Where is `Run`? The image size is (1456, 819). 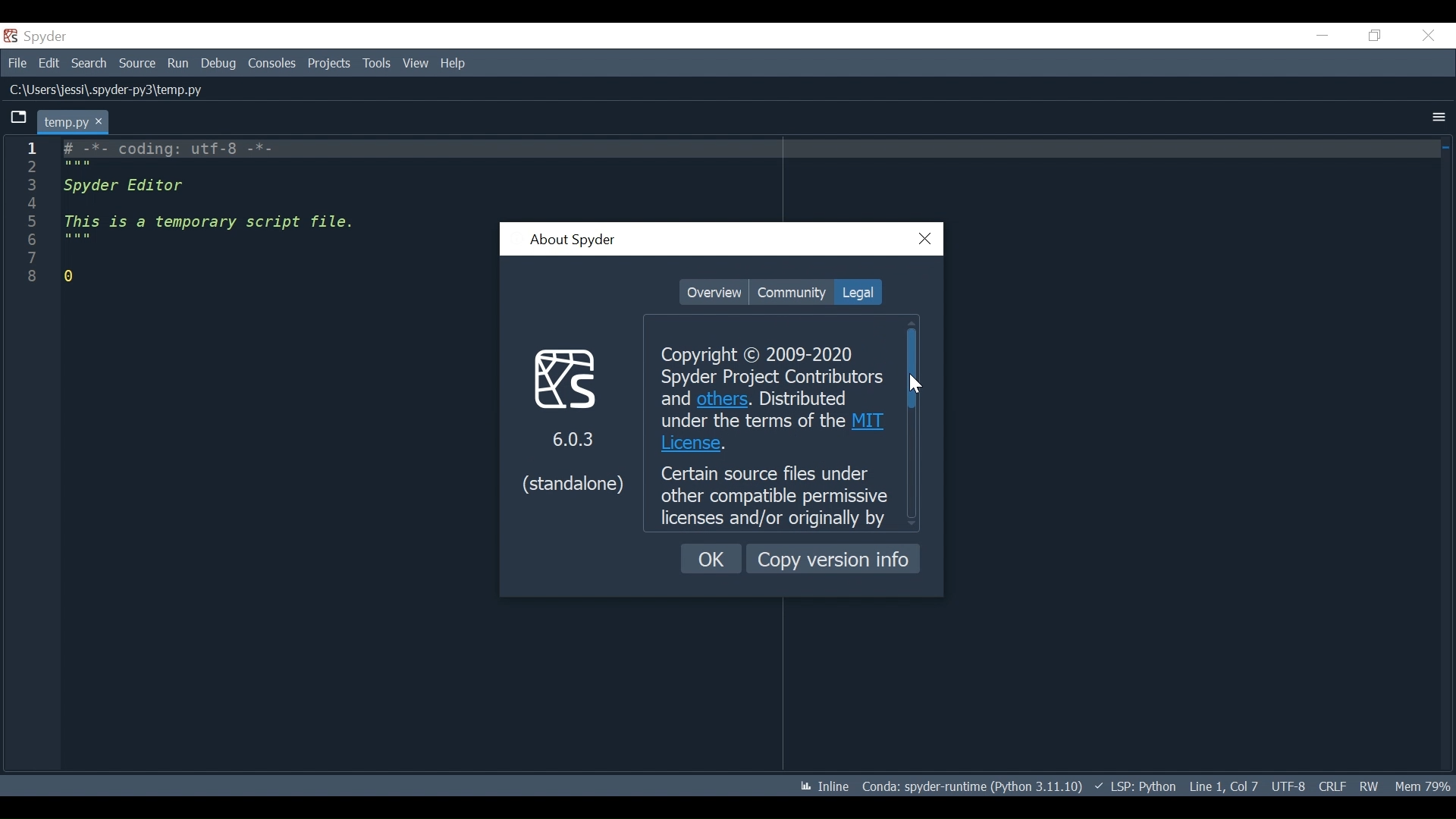 Run is located at coordinates (179, 64).